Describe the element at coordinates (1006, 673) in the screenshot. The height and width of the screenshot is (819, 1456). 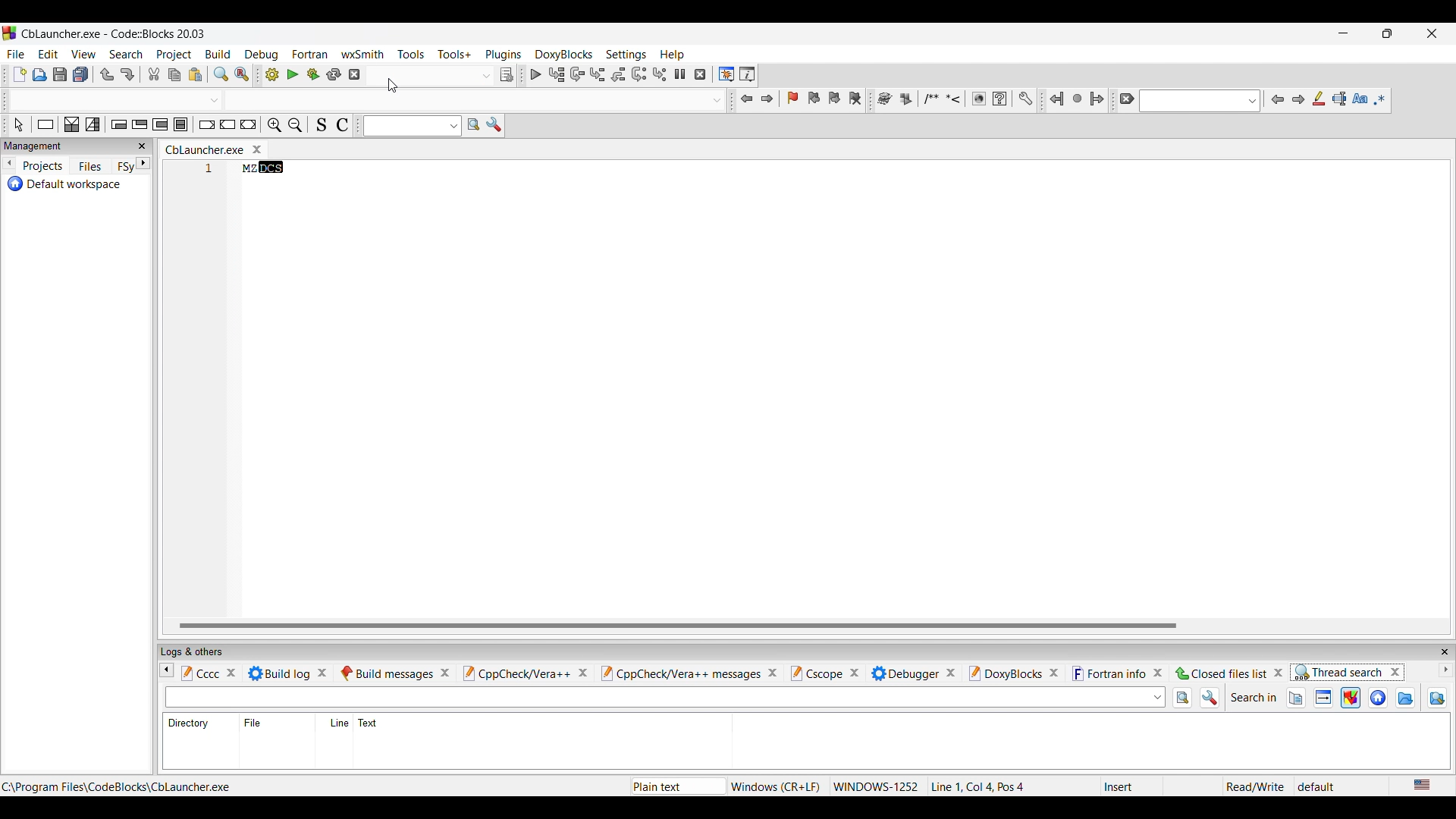
I see `DoxyBlocks` at that location.